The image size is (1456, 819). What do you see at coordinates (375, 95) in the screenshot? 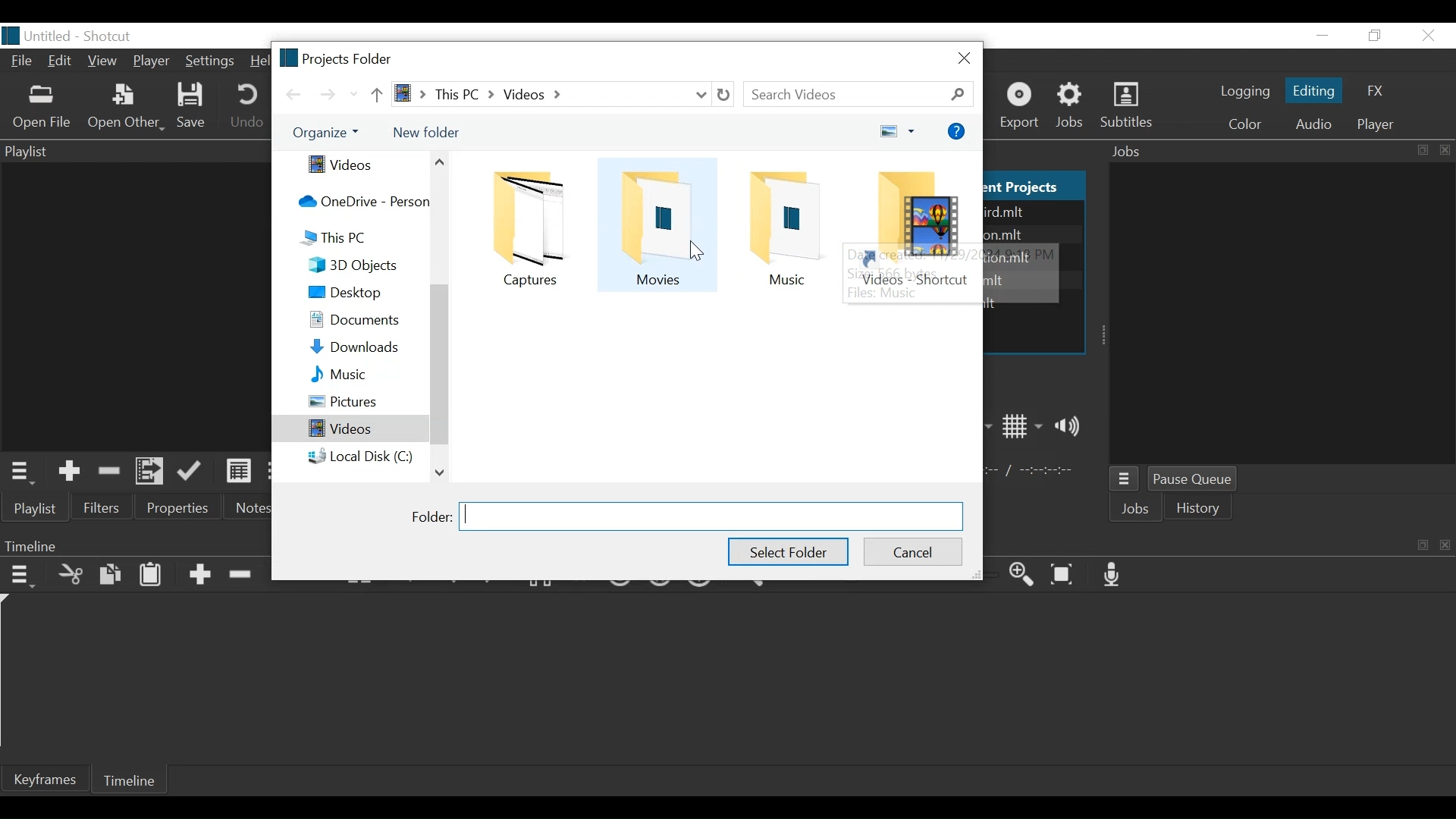
I see `Parent` at bounding box center [375, 95].